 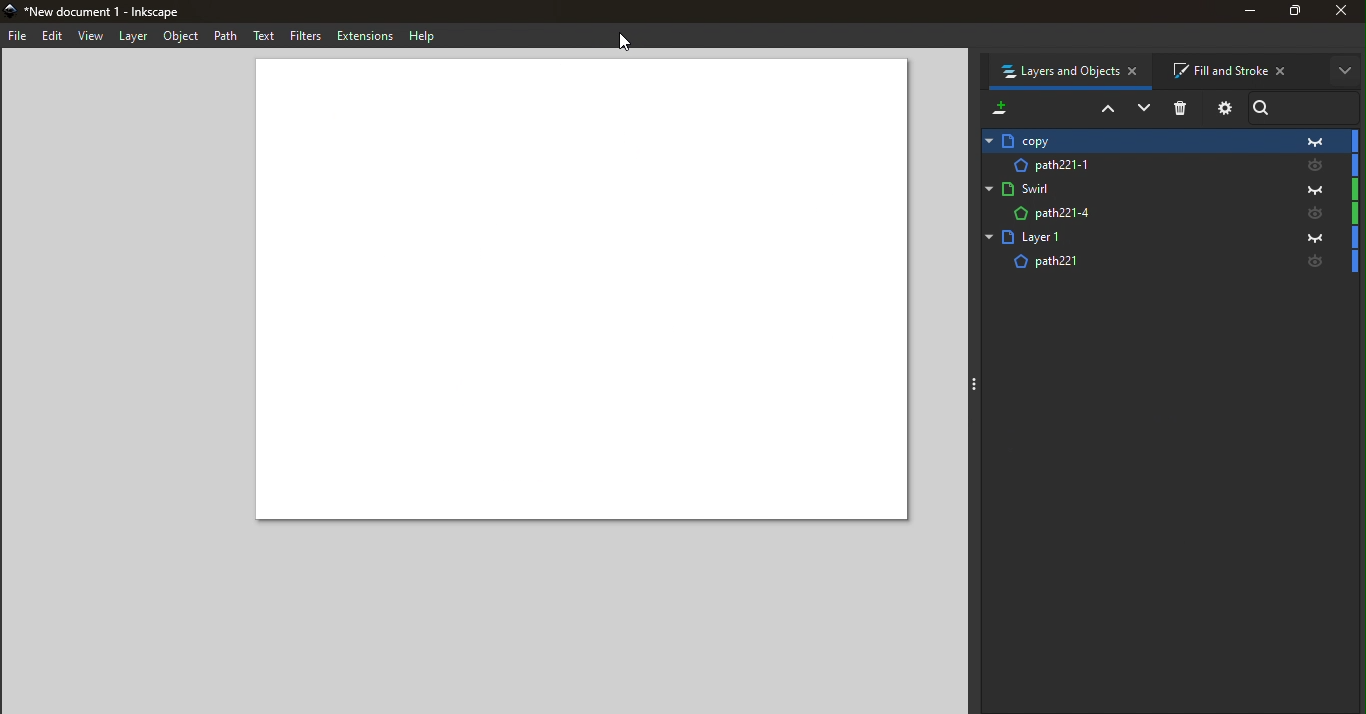 I want to click on three dots, so click(x=977, y=388).